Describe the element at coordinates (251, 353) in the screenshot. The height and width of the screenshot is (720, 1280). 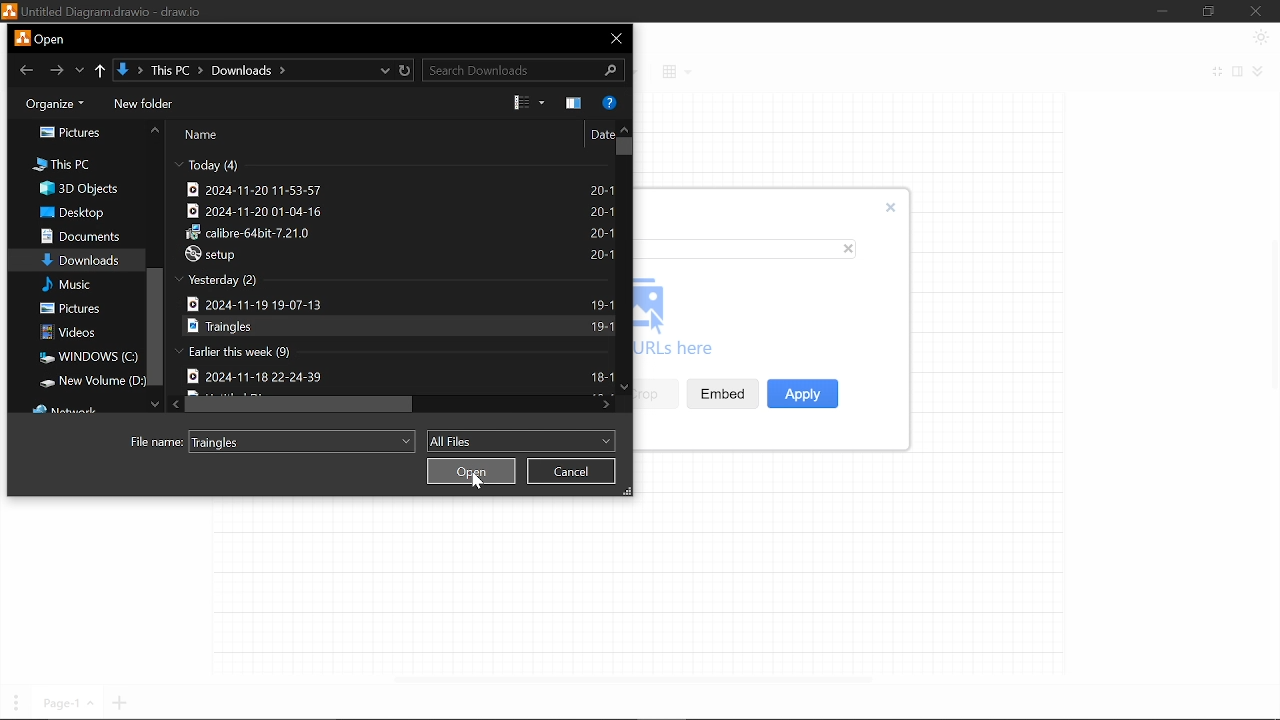
I see `Earlier this week (9)` at that location.